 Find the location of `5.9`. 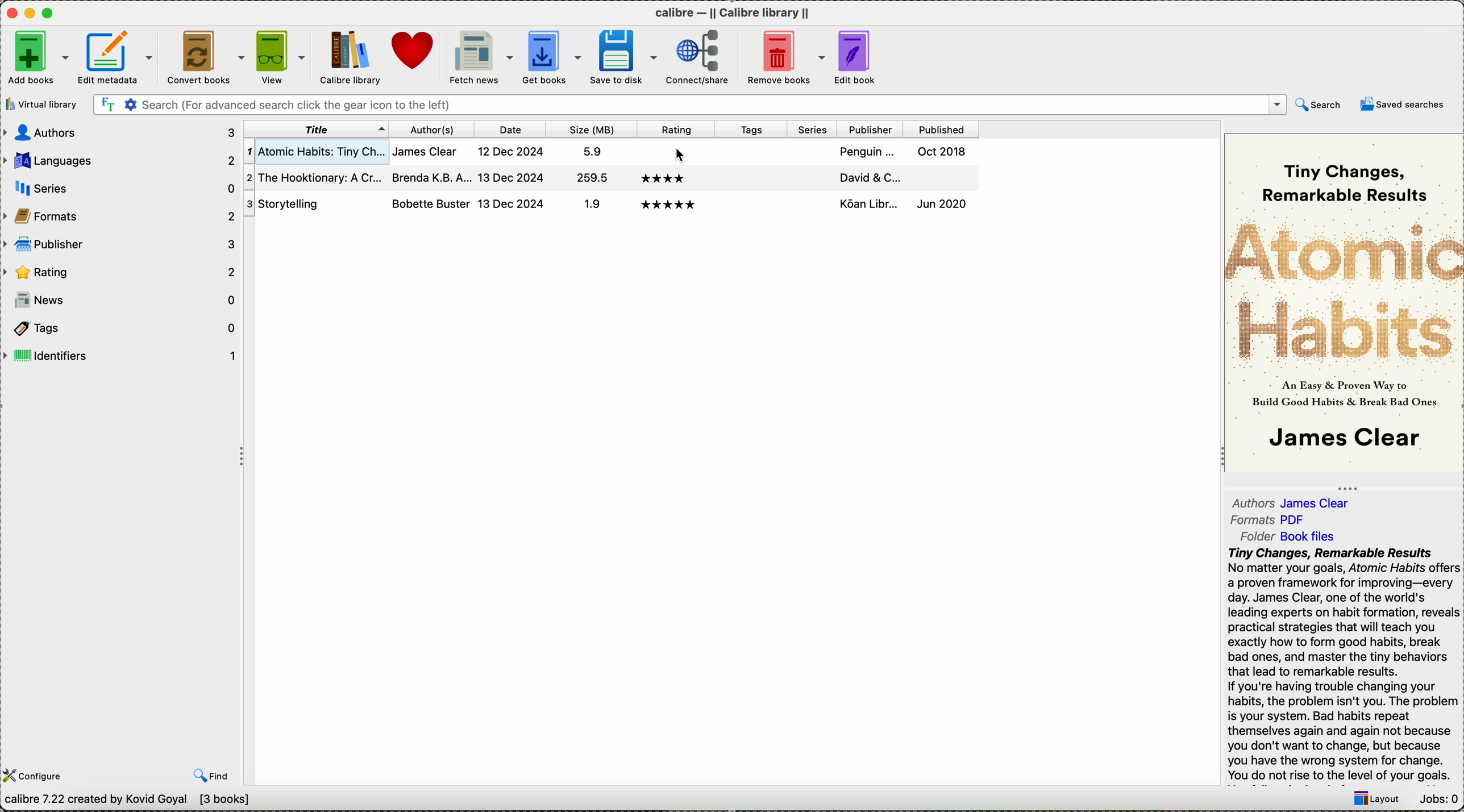

5.9 is located at coordinates (589, 151).